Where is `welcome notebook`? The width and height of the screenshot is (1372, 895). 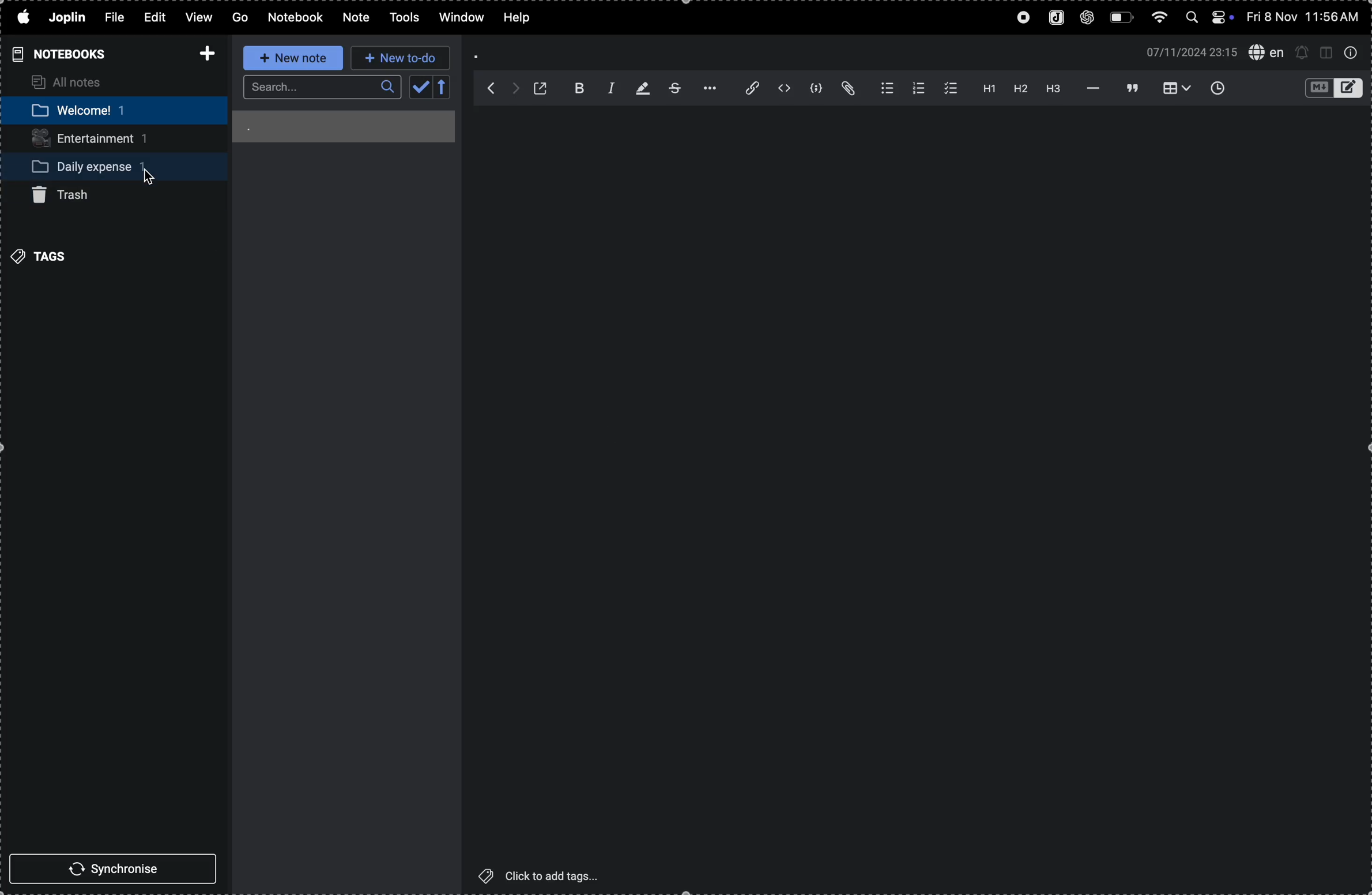
welcome notebook is located at coordinates (101, 111).